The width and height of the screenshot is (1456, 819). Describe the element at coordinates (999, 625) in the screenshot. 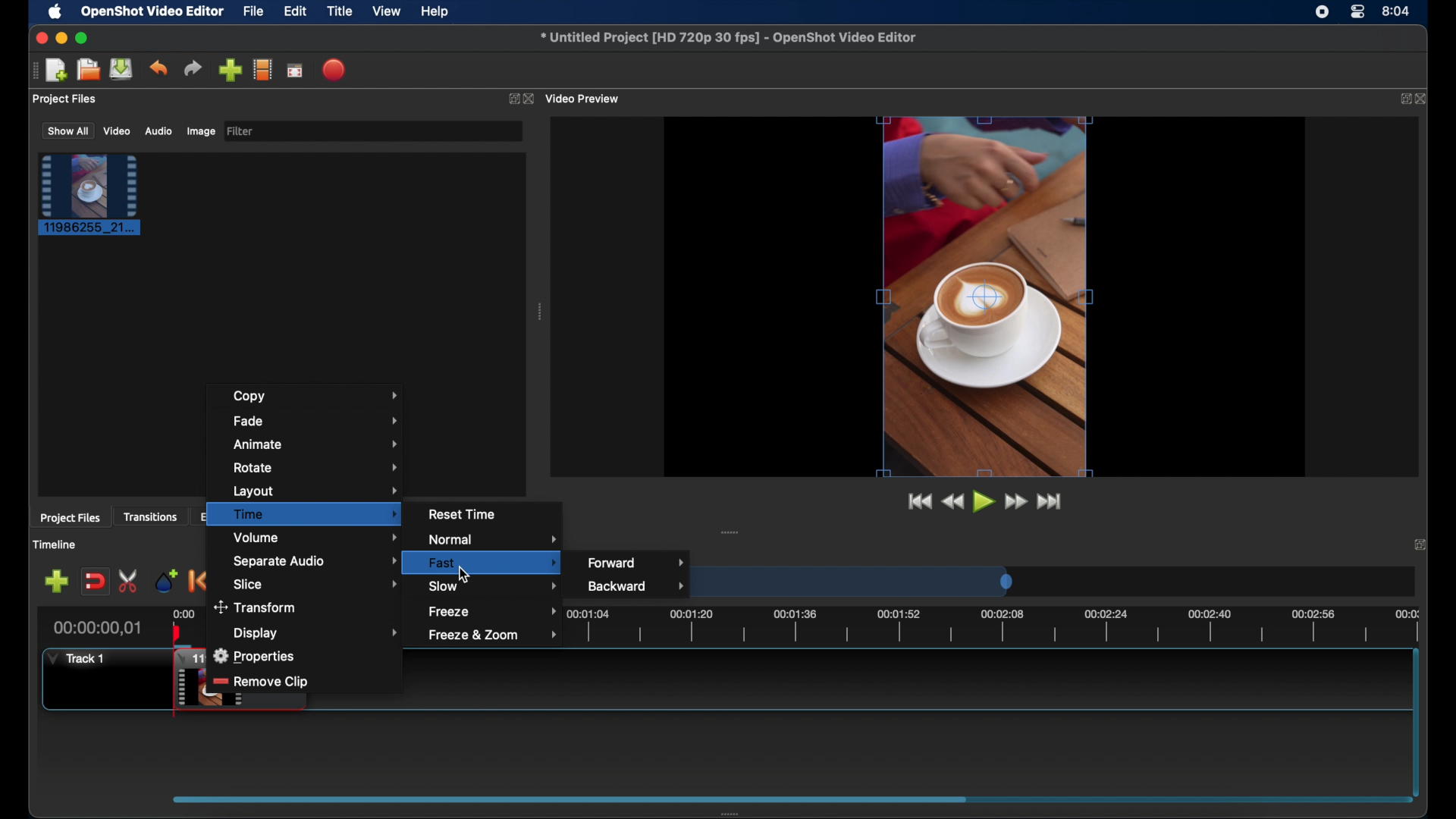

I see `timeline ` at that location.